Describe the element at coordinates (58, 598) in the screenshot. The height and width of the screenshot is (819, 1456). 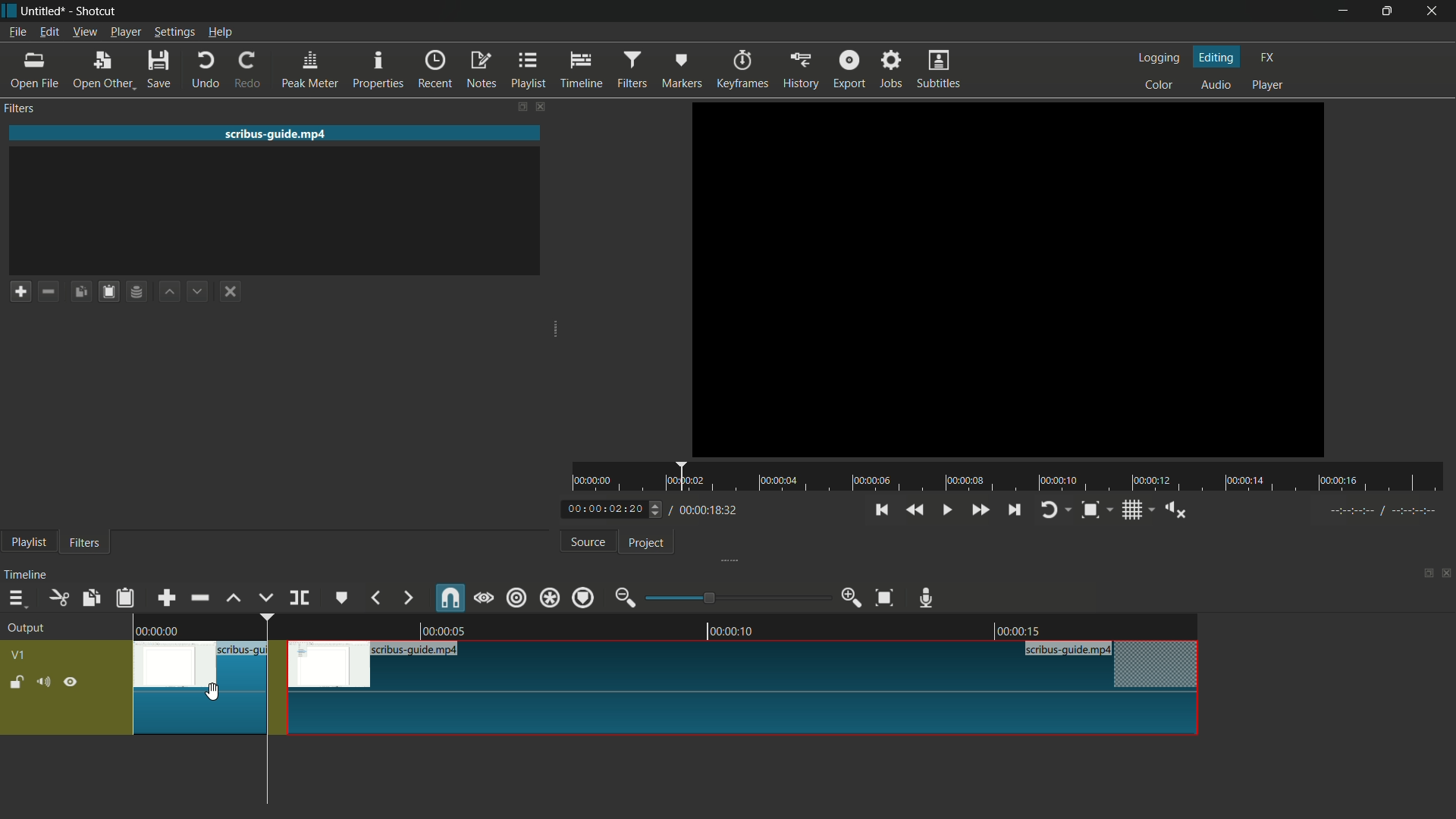
I see `cut` at that location.